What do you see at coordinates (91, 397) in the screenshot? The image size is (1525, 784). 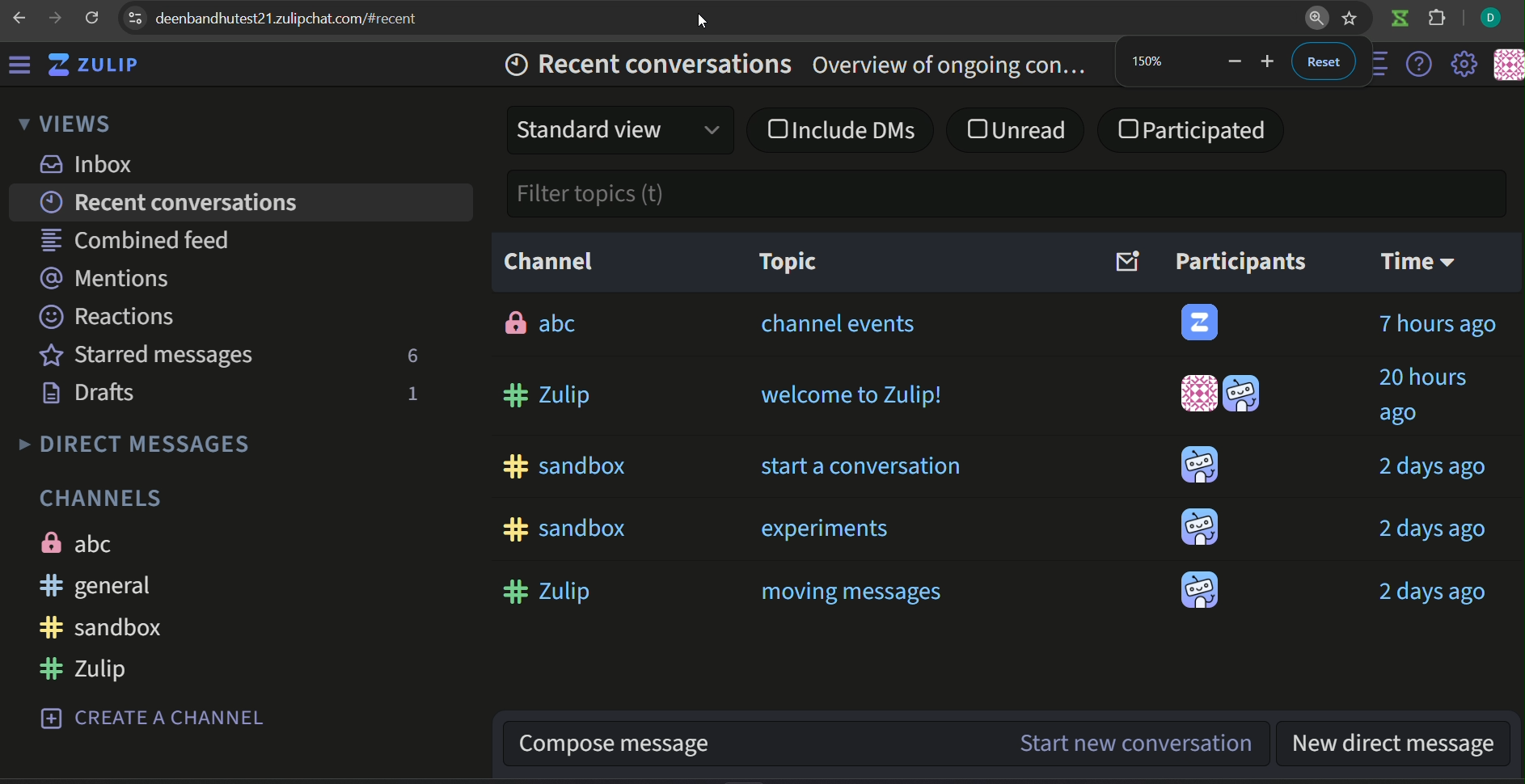 I see `drafts` at bounding box center [91, 397].